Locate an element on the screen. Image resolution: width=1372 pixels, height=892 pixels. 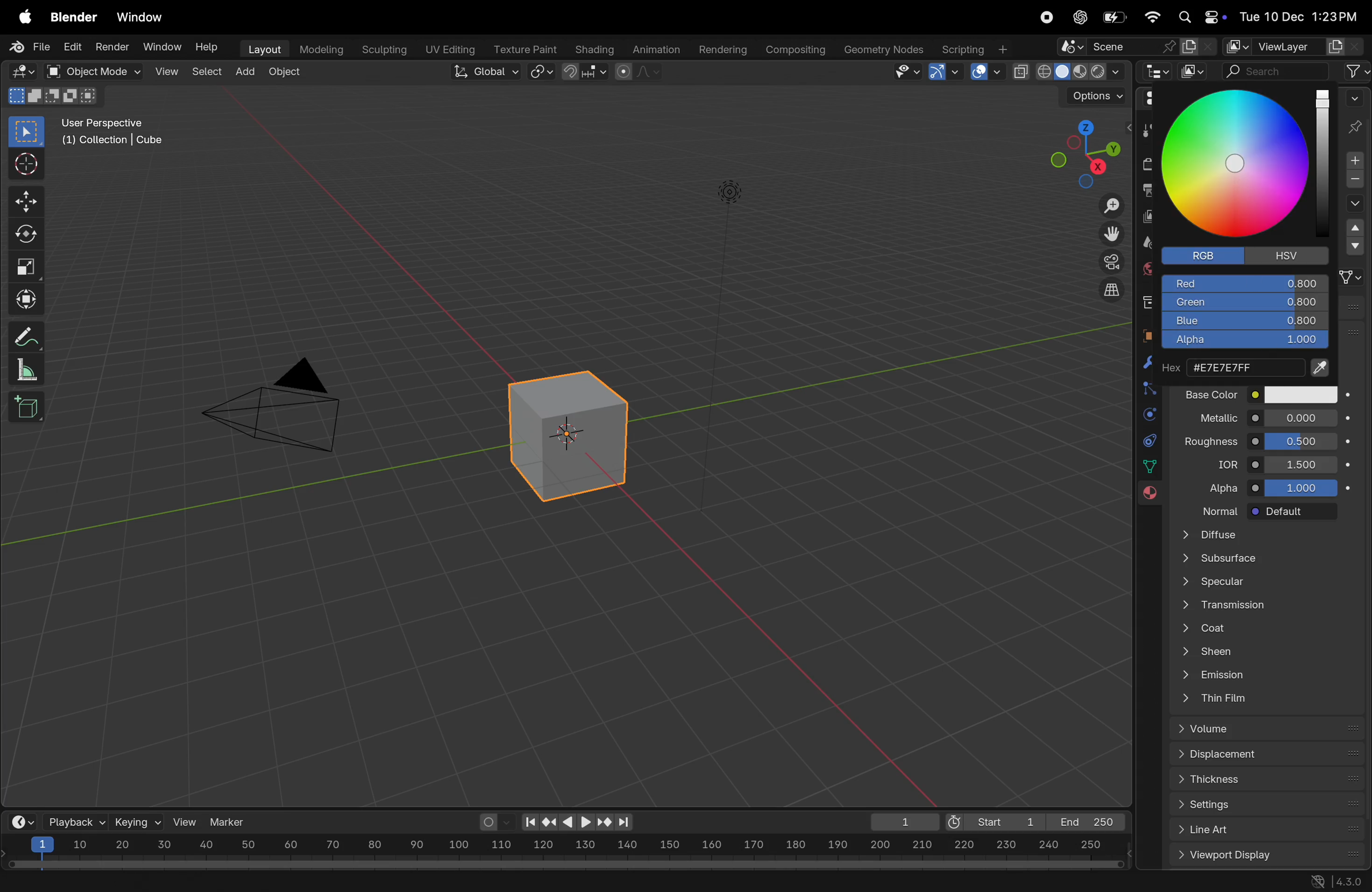
Window is located at coordinates (163, 47).